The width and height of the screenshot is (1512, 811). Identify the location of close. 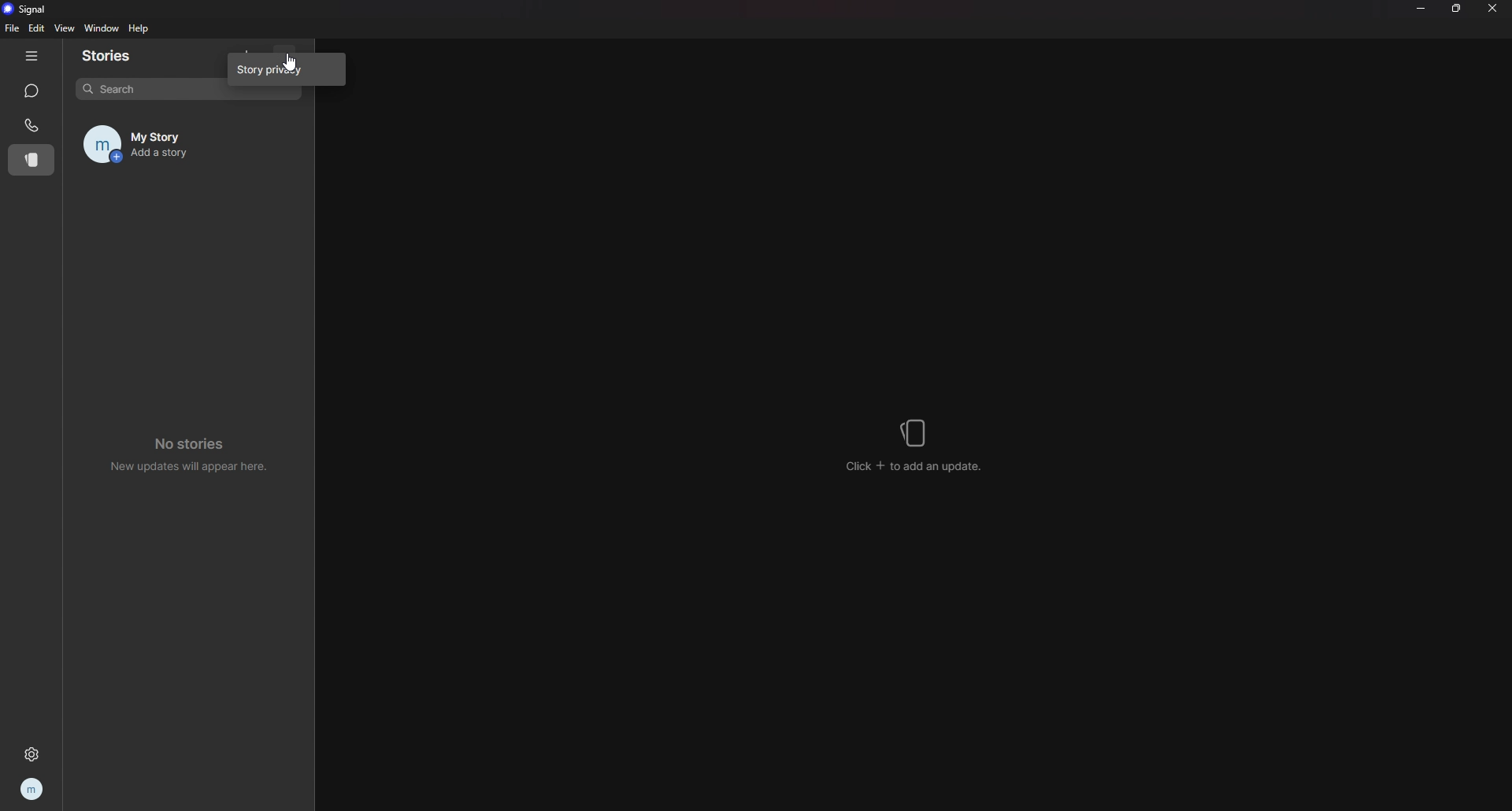
(1492, 7).